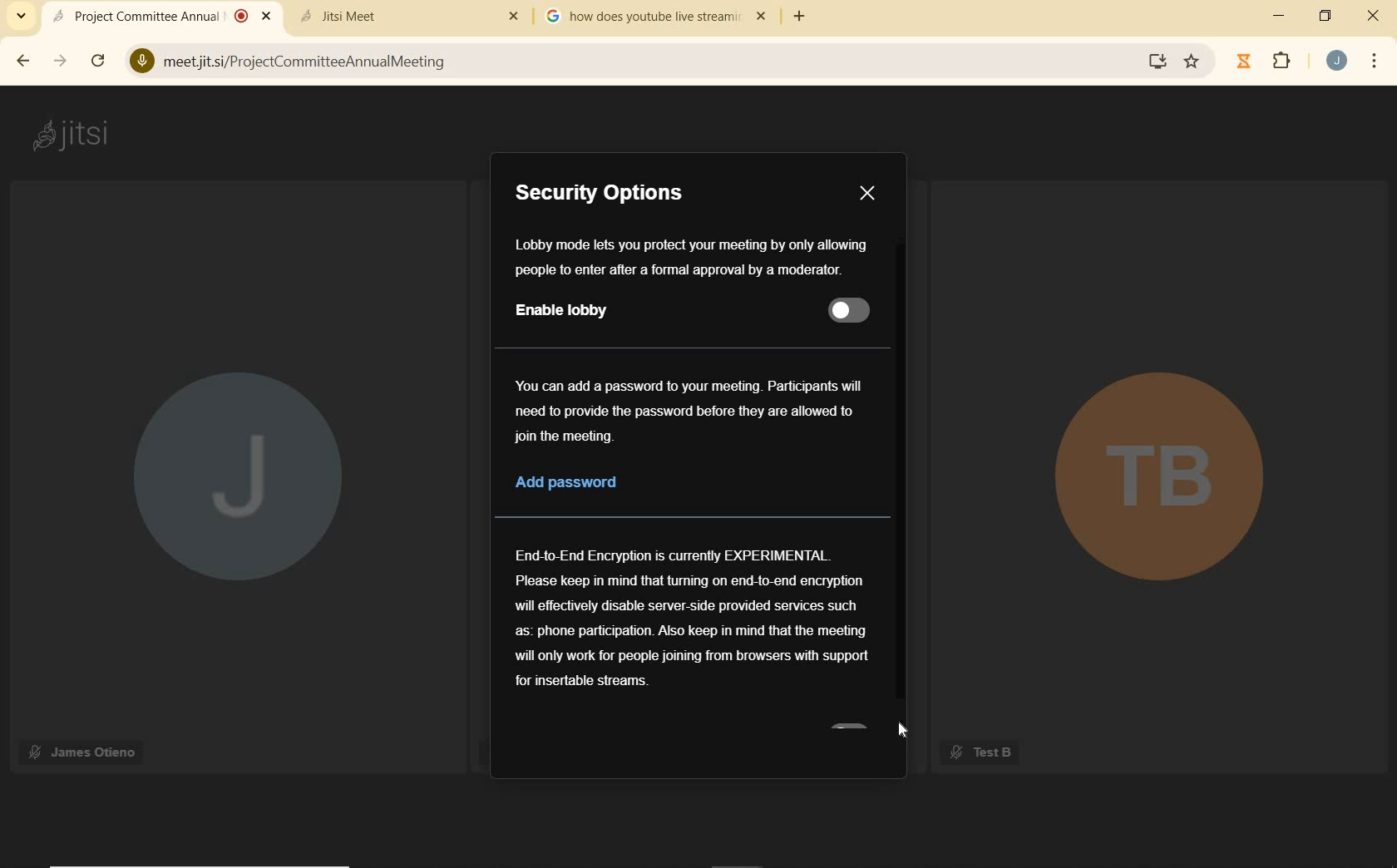  Describe the element at coordinates (1325, 16) in the screenshot. I see `RESTORE DOWN` at that location.